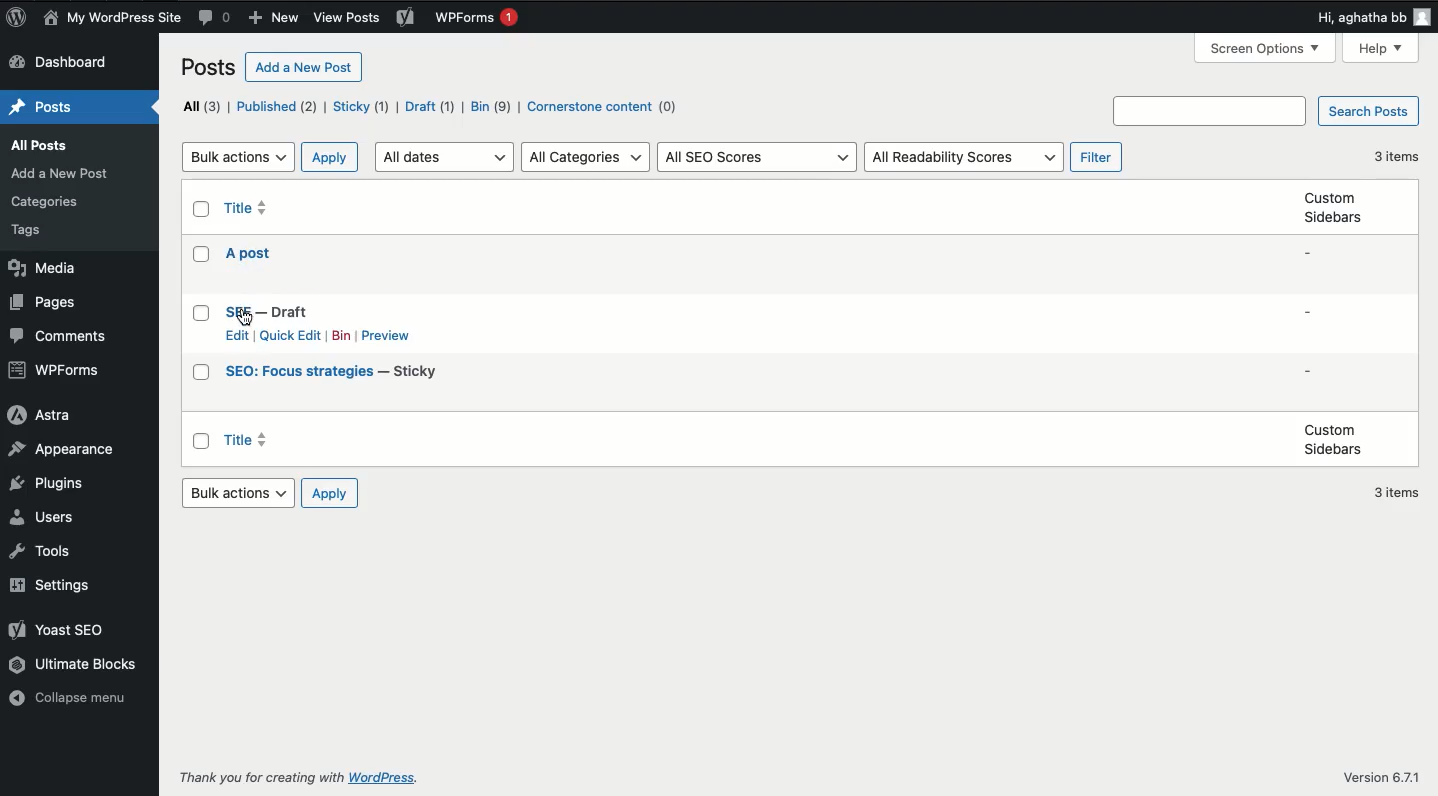  Describe the element at coordinates (965, 156) in the screenshot. I see `All readability scores` at that location.